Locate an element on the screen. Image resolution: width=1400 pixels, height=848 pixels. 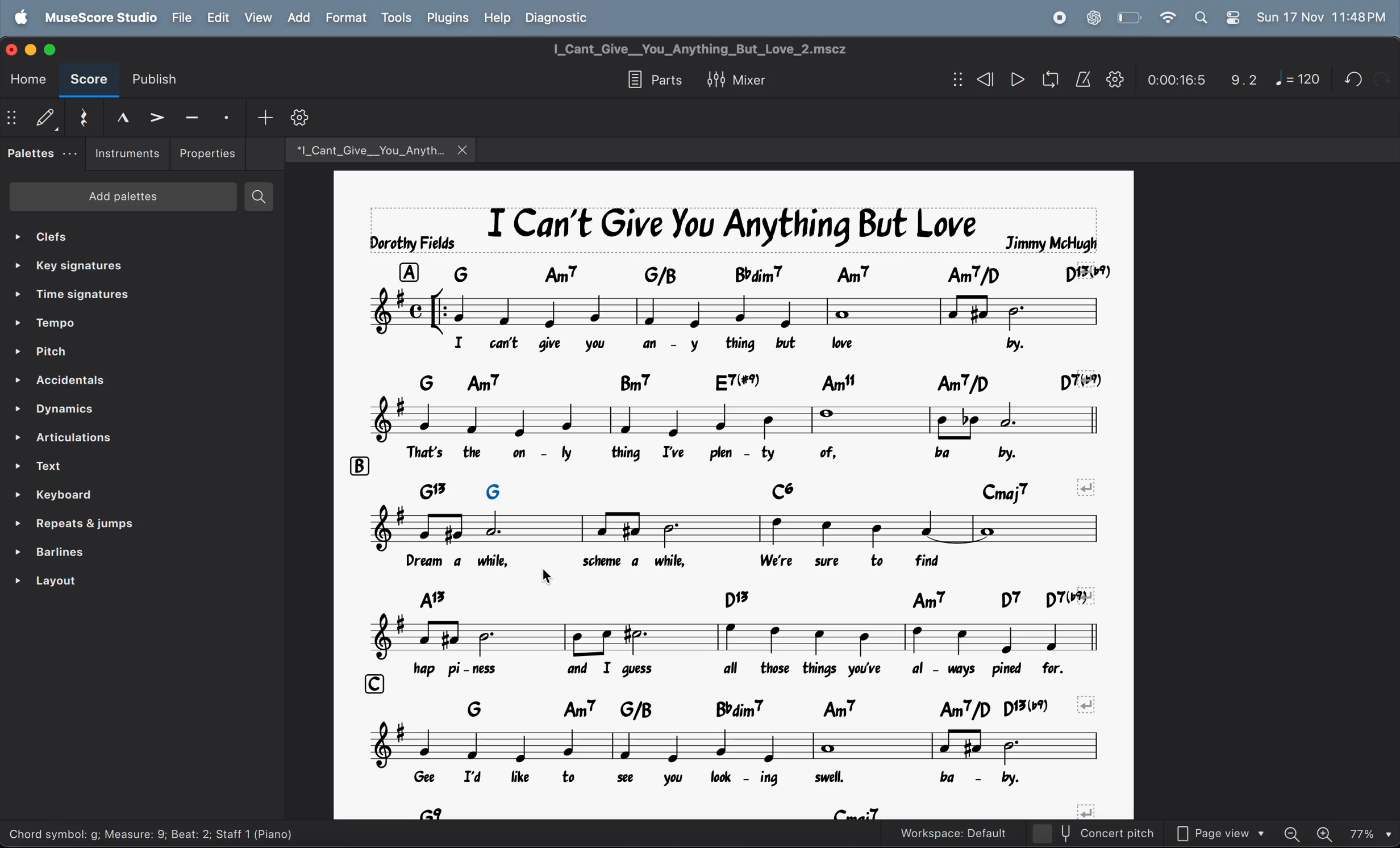
note is located at coordinates (735, 310).